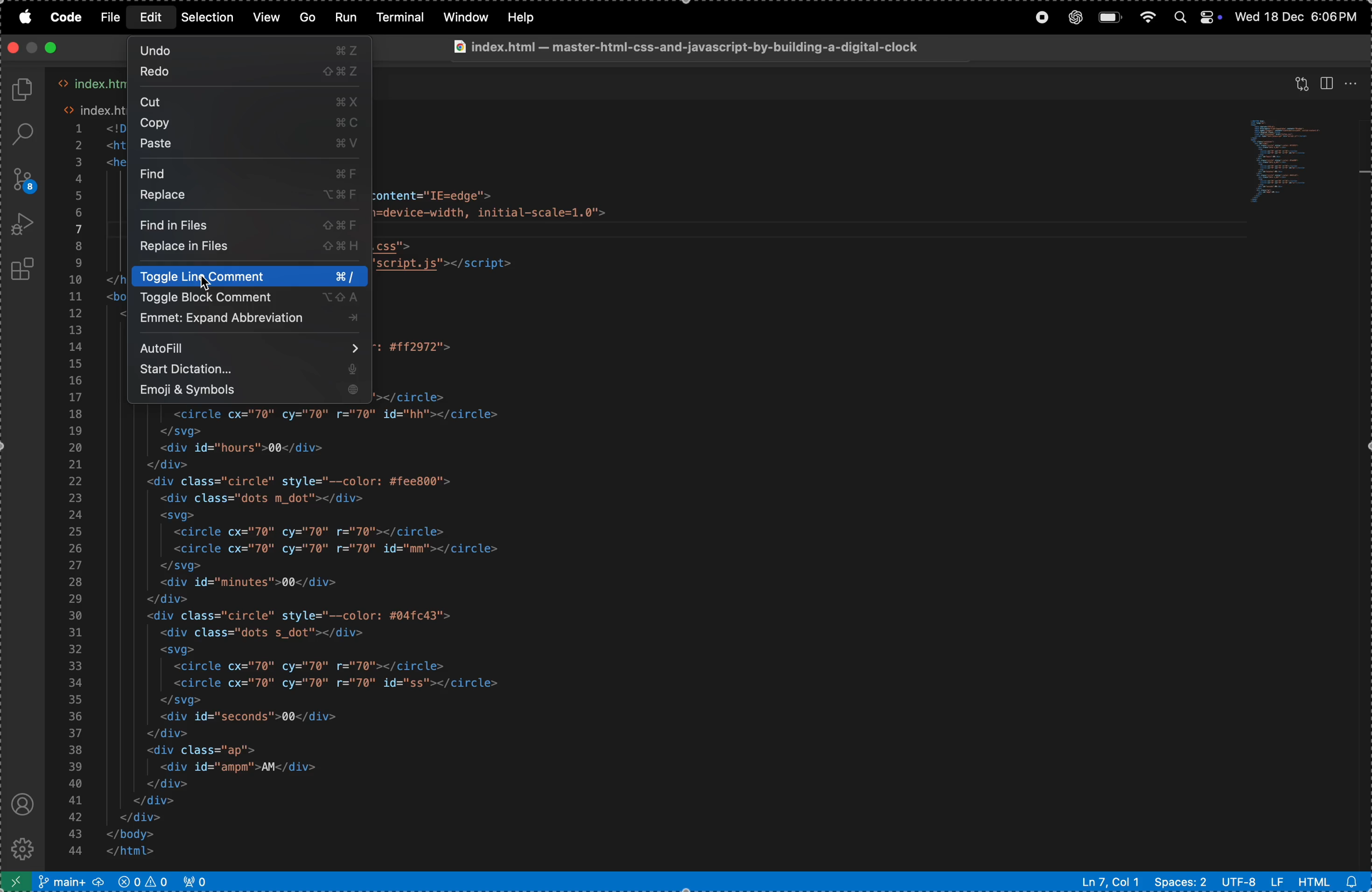 The height and width of the screenshot is (892, 1372). What do you see at coordinates (1107, 882) in the screenshot?
I see `Ln7 col 2` at bounding box center [1107, 882].